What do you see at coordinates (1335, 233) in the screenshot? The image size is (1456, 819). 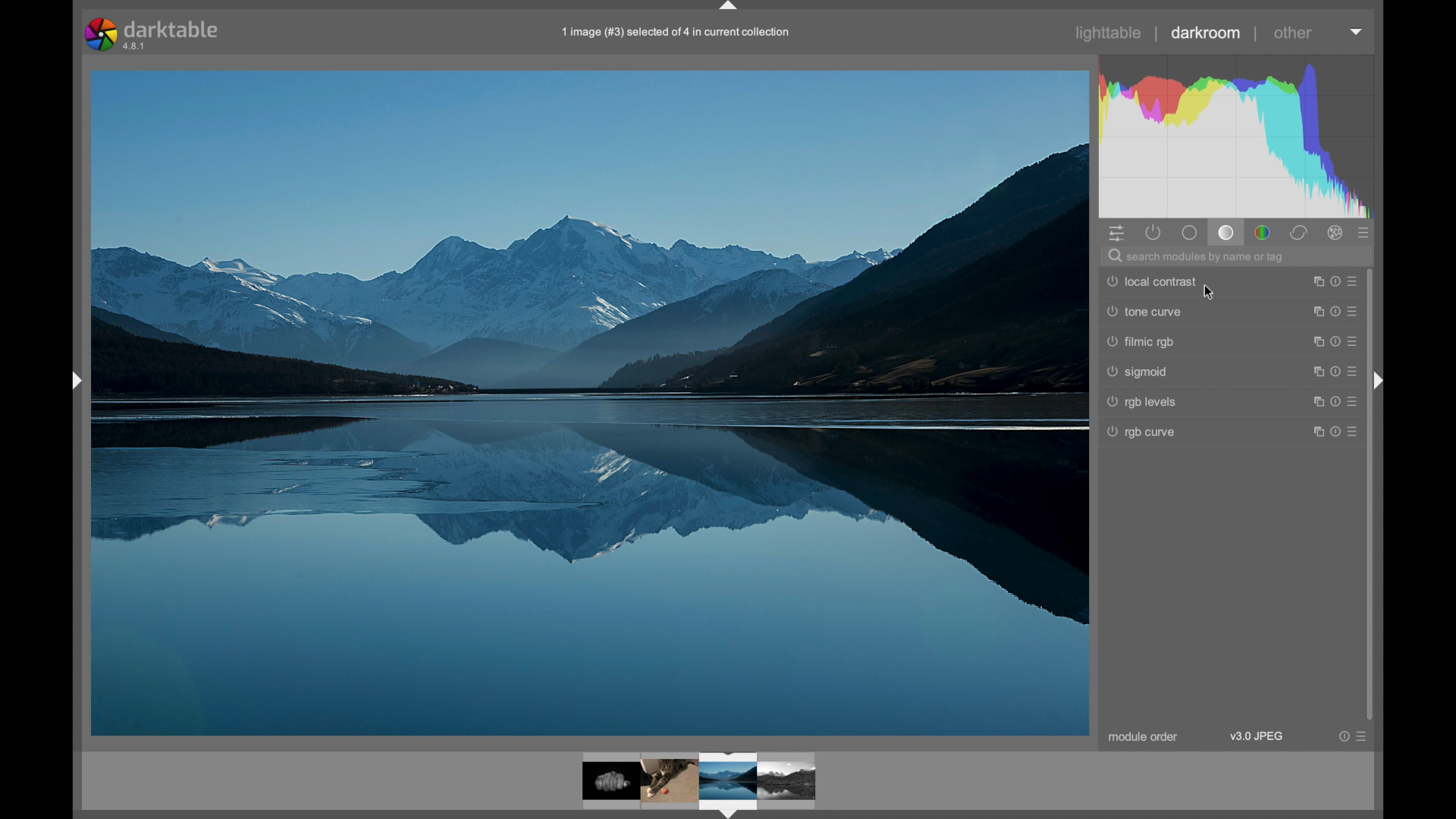 I see `effect` at bounding box center [1335, 233].